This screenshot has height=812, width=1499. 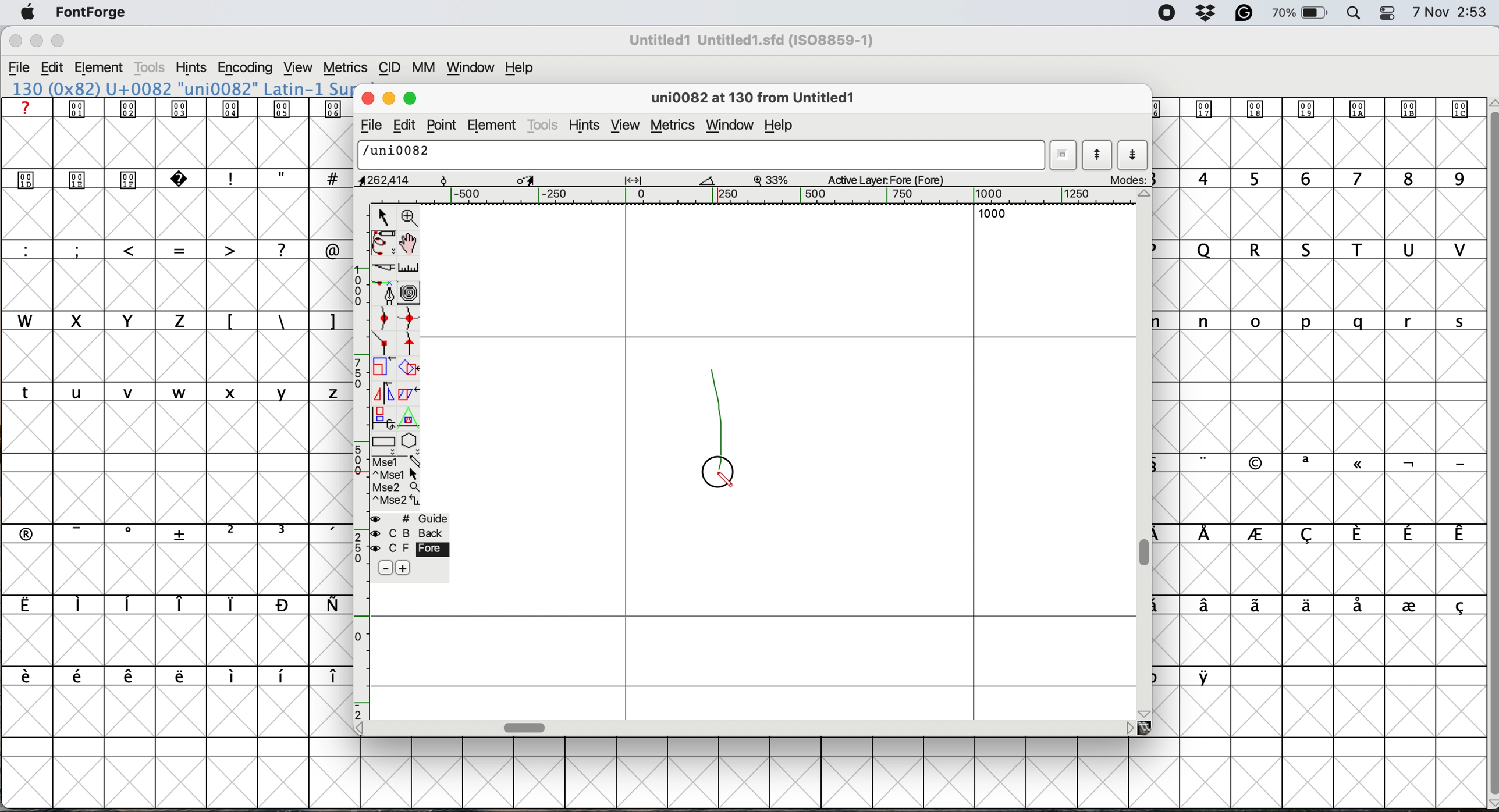 I want to click on 130 (0x82) U+0082 "uni0082" Latin-1 Su, so click(x=182, y=88).